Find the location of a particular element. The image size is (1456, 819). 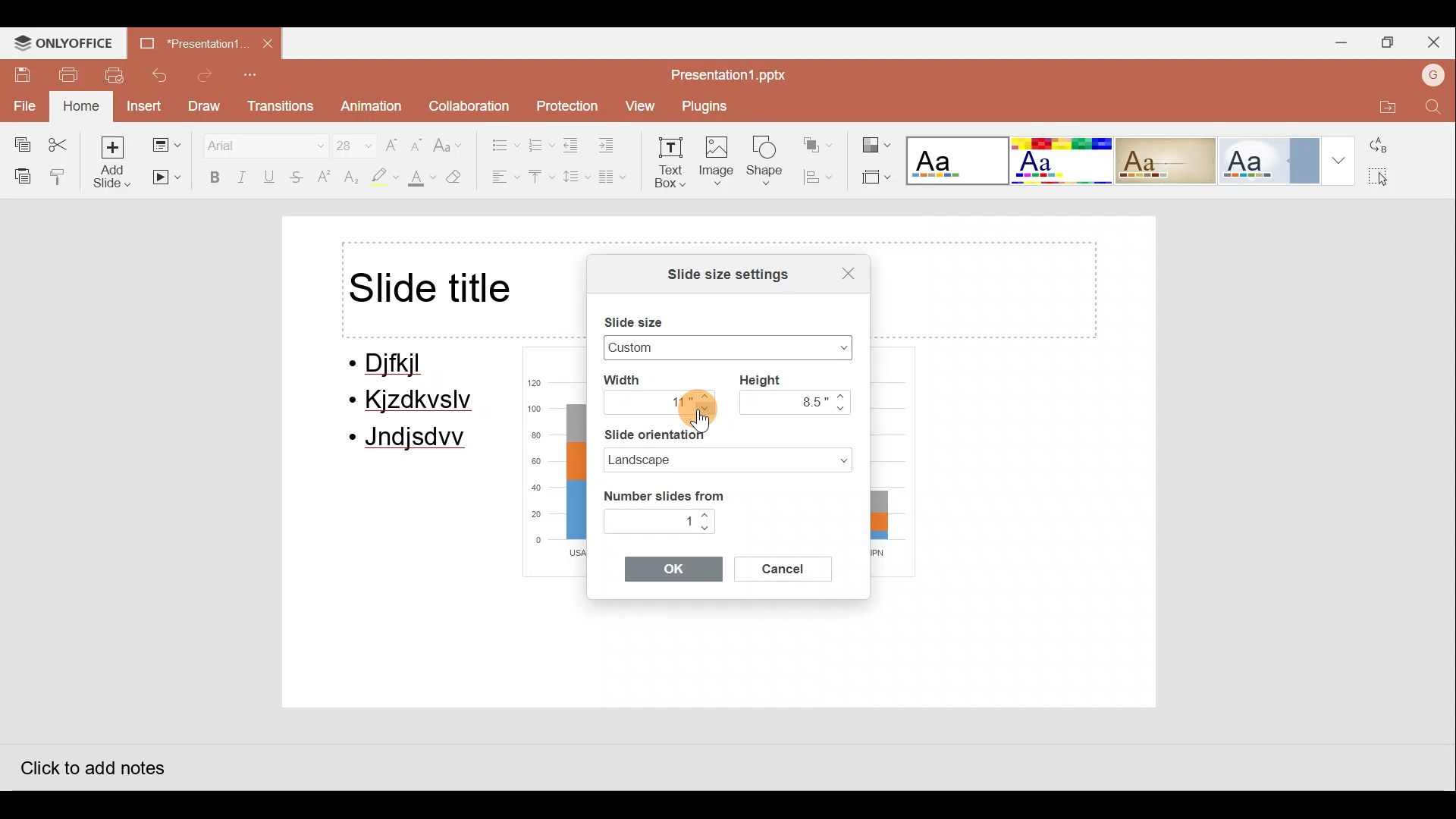

Decrease indent is located at coordinates (573, 145).